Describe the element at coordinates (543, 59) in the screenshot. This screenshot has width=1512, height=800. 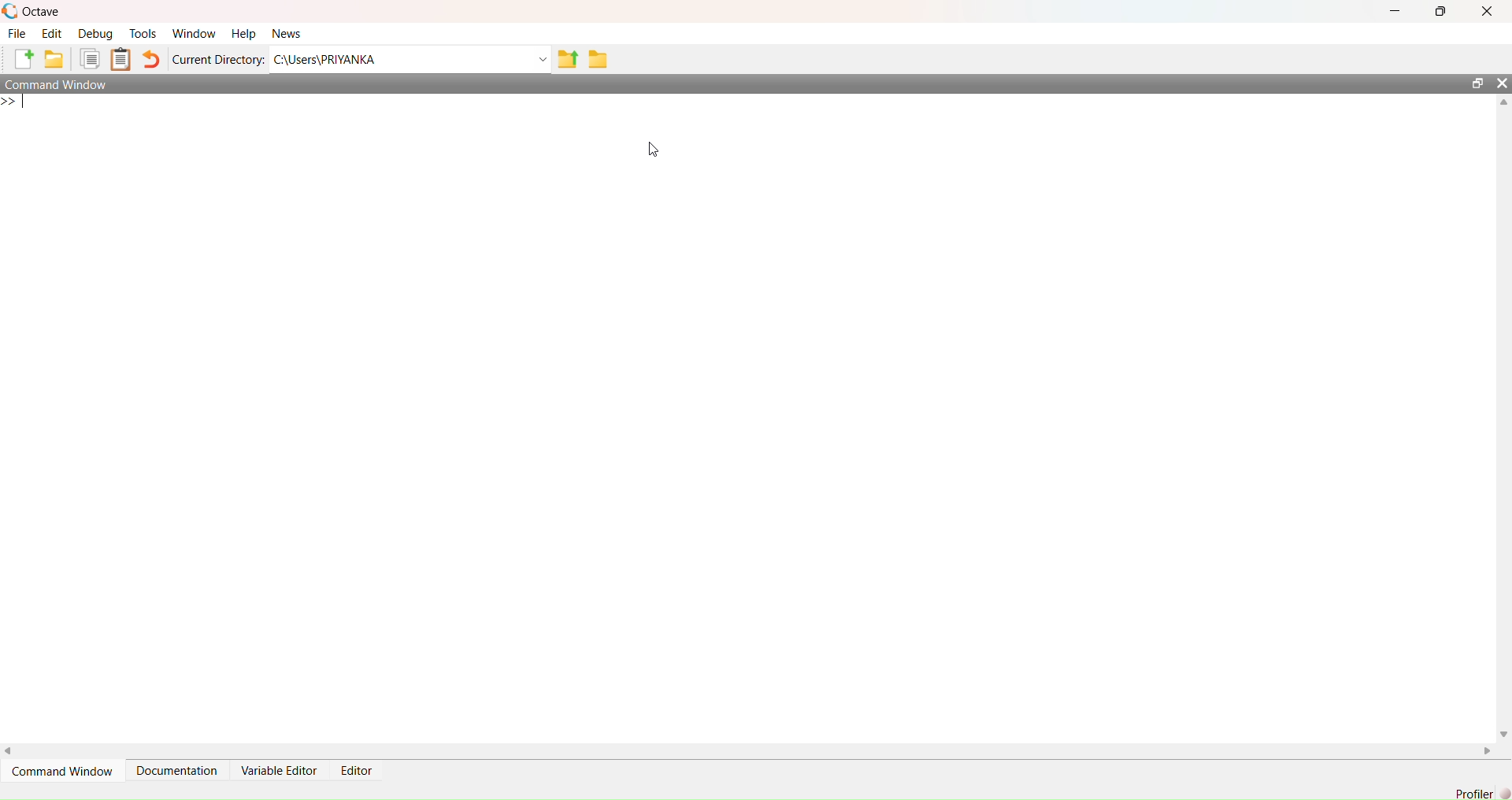
I see `Enter directory name` at that location.